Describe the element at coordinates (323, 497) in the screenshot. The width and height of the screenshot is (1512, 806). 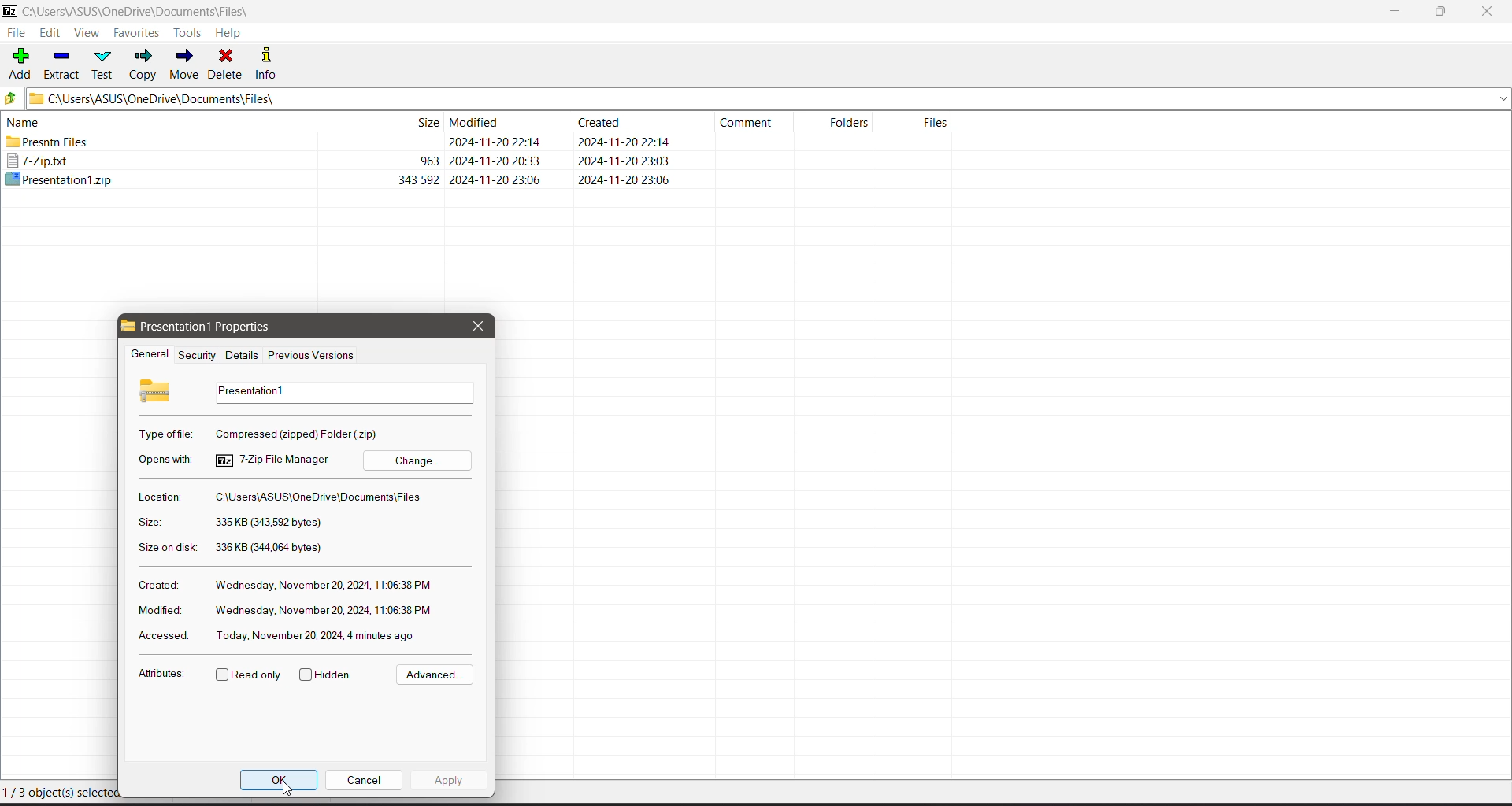
I see `Location of the selected file` at that location.